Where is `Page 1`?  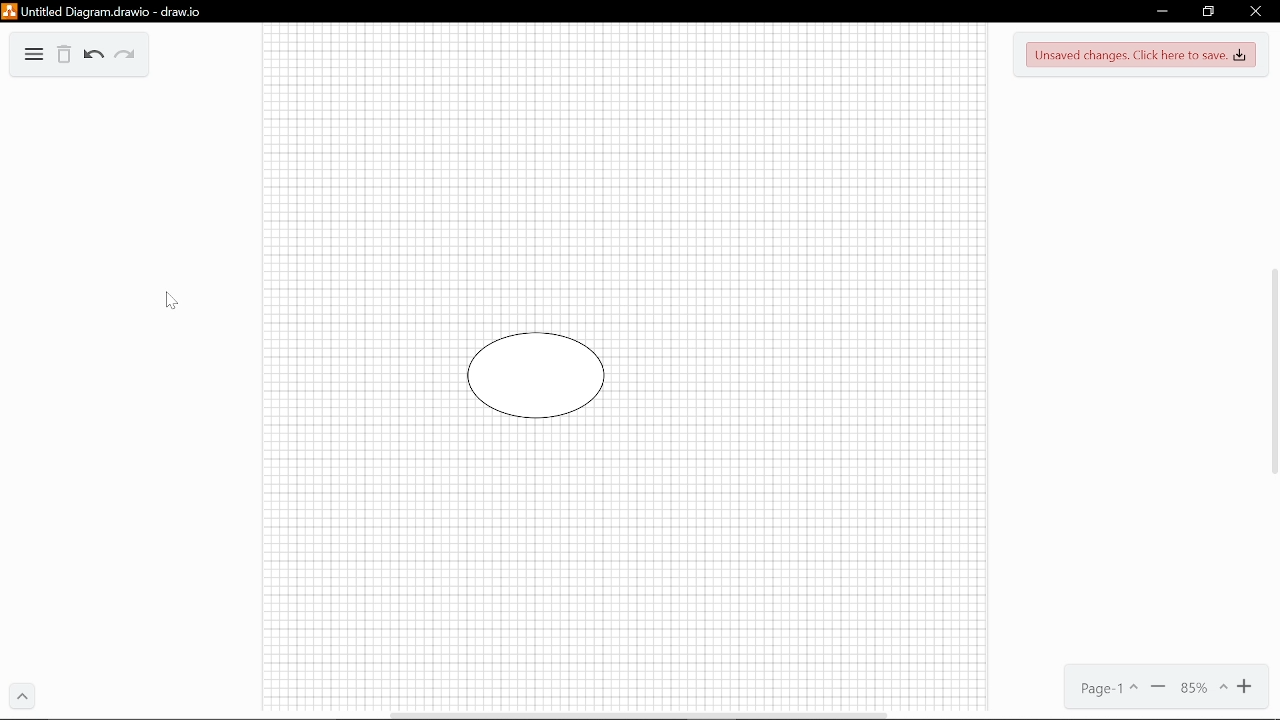
Page 1 is located at coordinates (1102, 690).